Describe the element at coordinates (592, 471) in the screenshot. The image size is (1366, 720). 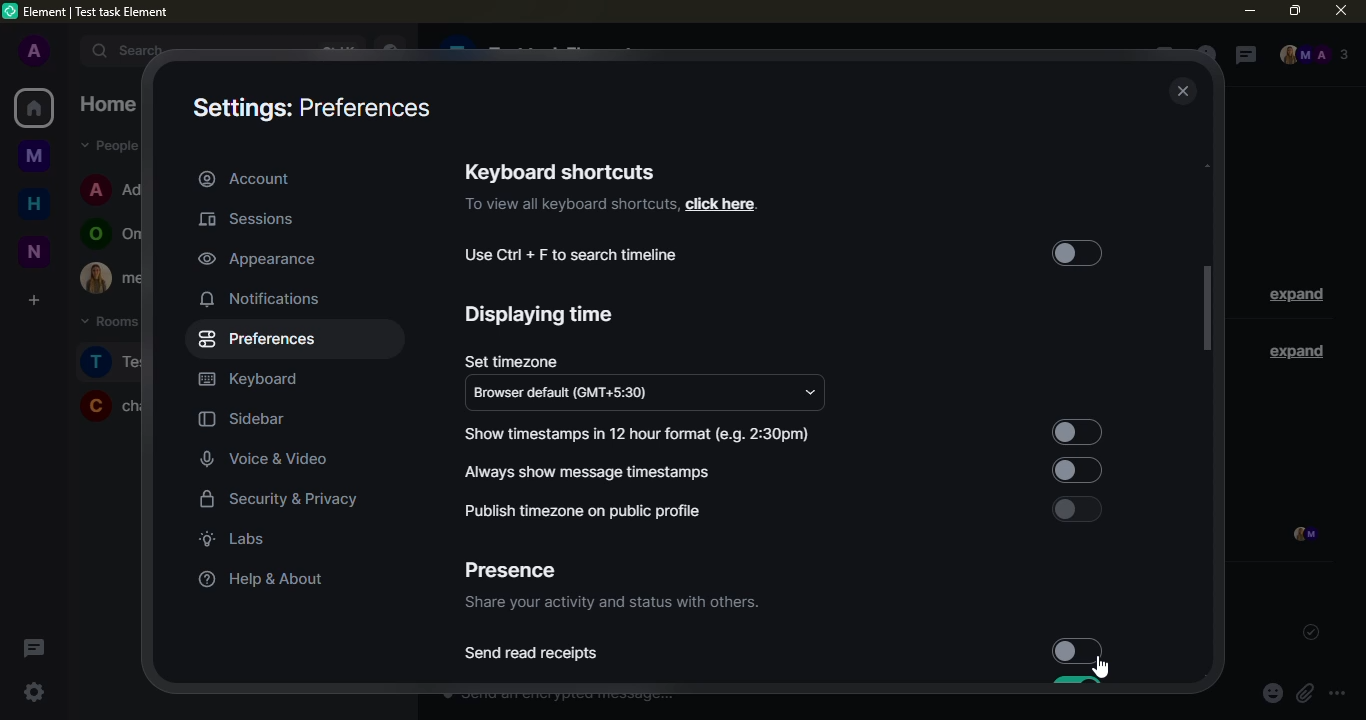
I see `always show ` at that location.